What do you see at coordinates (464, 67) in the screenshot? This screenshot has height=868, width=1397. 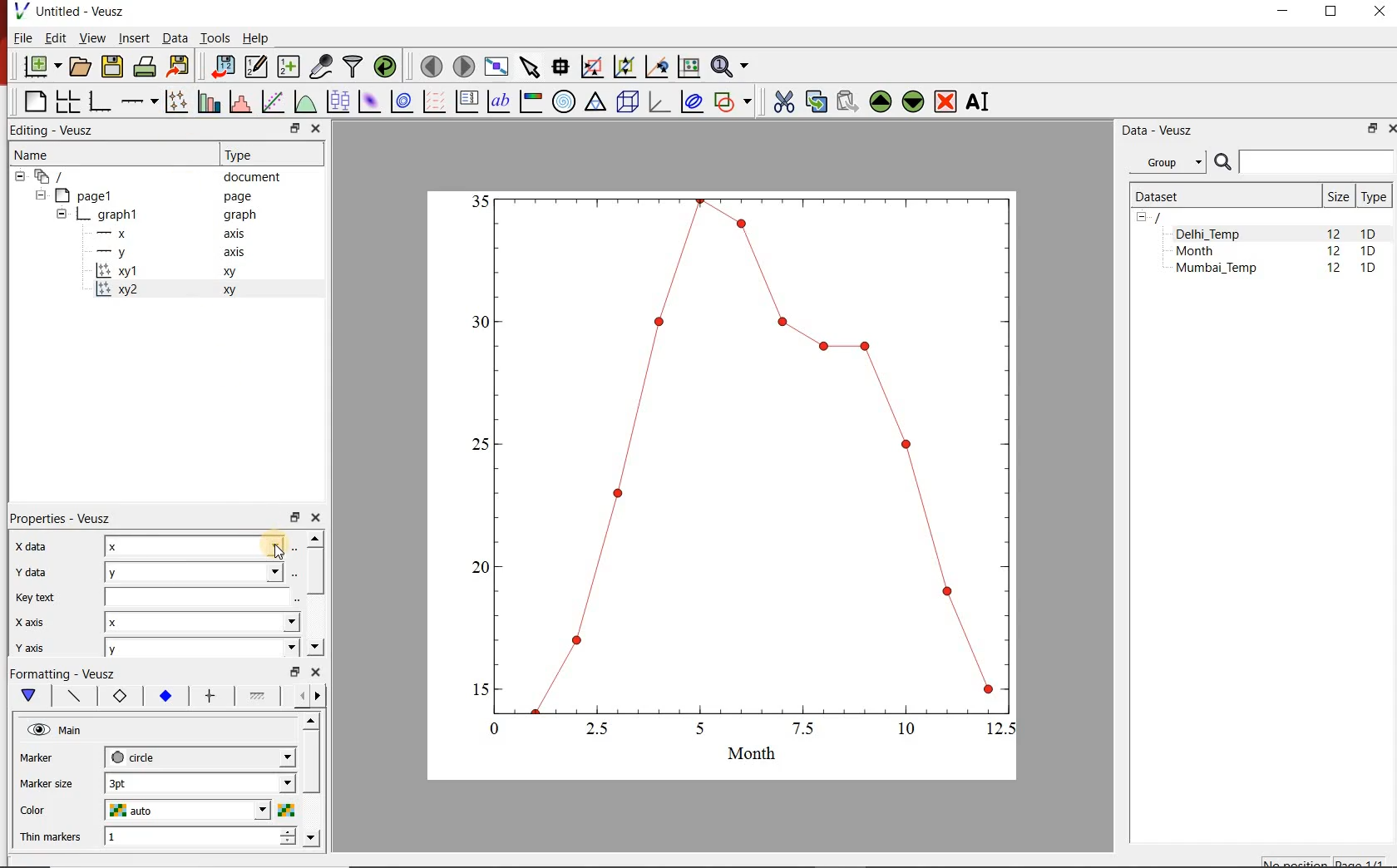 I see `move to the next page` at bounding box center [464, 67].